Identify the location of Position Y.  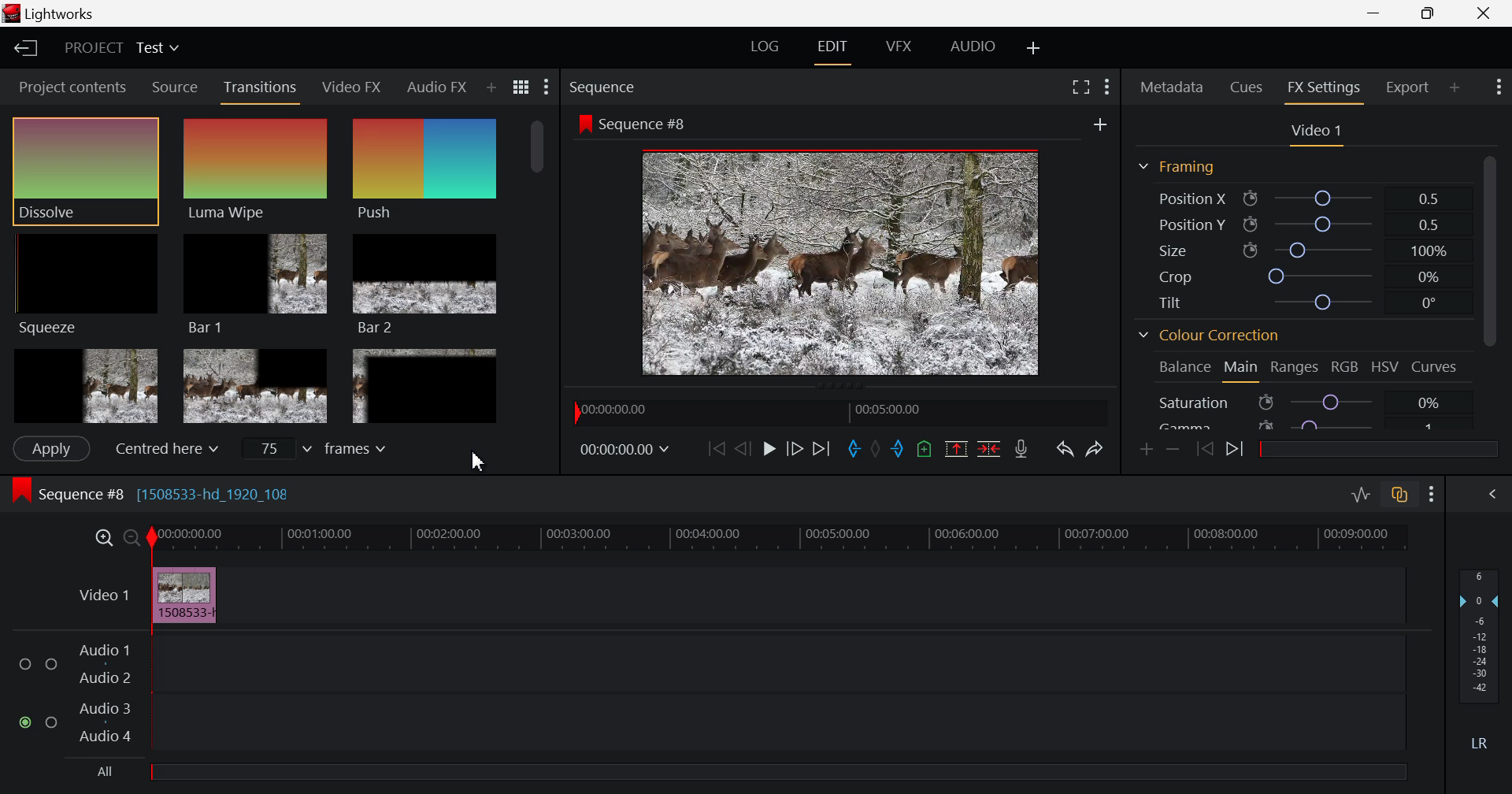
(1296, 222).